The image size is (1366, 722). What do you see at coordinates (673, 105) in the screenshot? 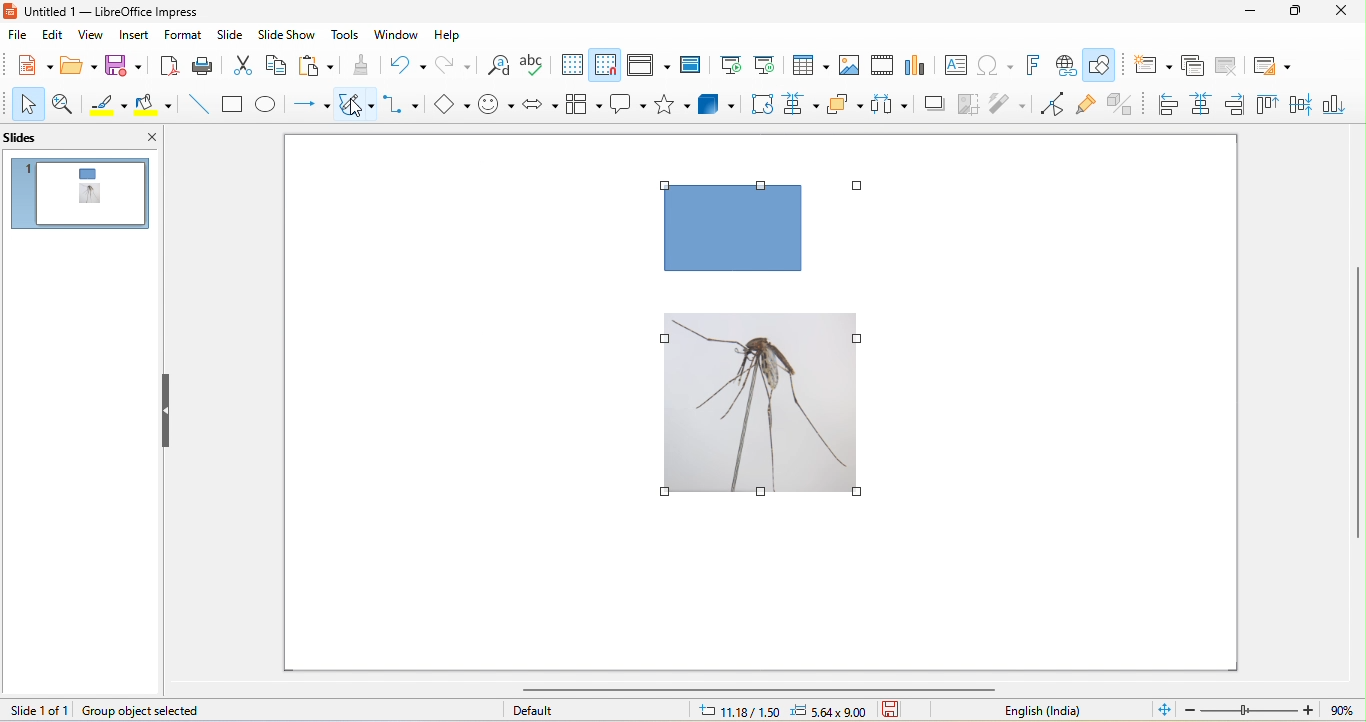
I see `stars and banners` at bounding box center [673, 105].